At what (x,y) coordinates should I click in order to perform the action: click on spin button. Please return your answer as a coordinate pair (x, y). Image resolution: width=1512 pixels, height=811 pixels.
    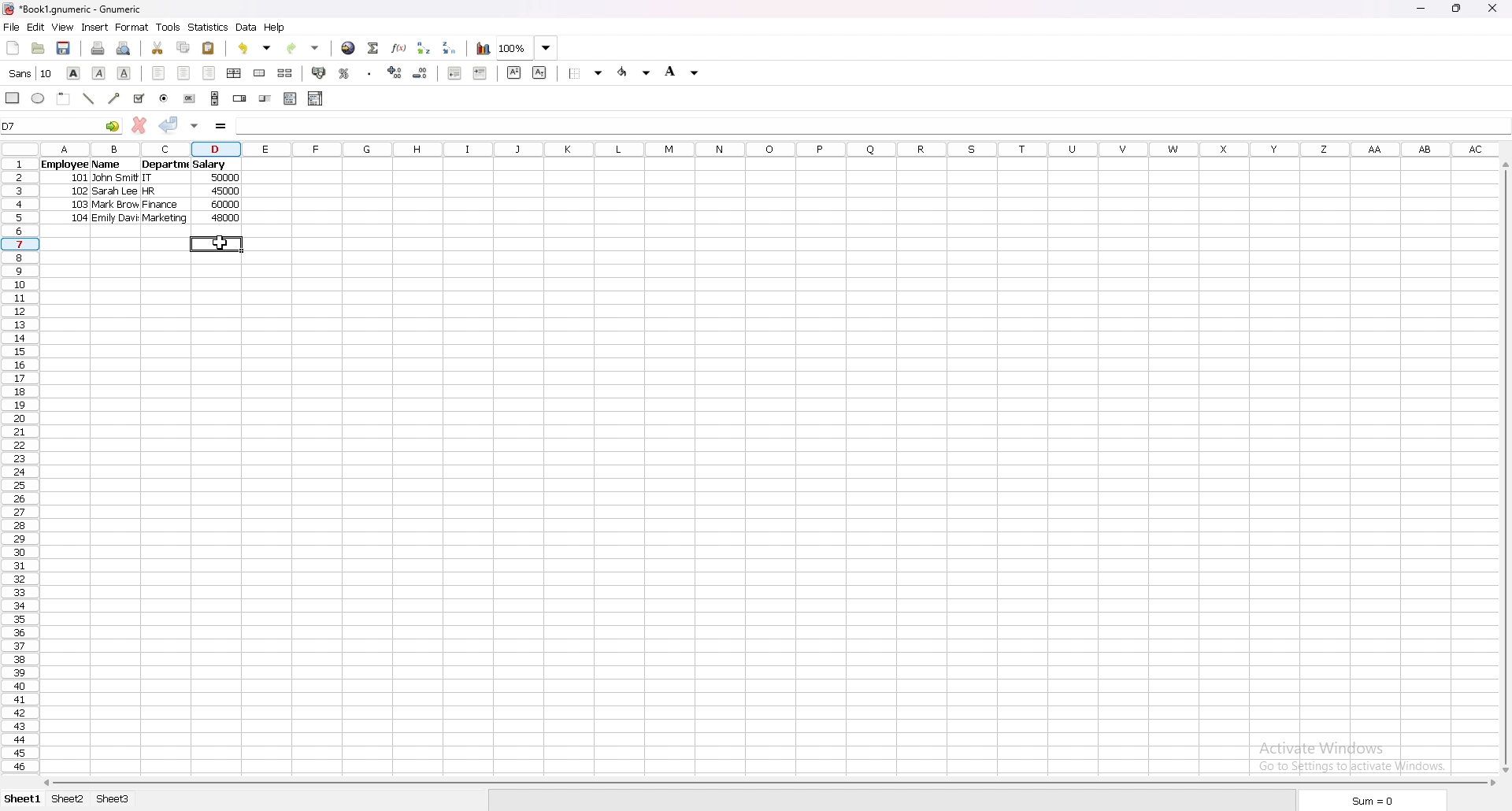
    Looking at the image, I should click on (240, 98).